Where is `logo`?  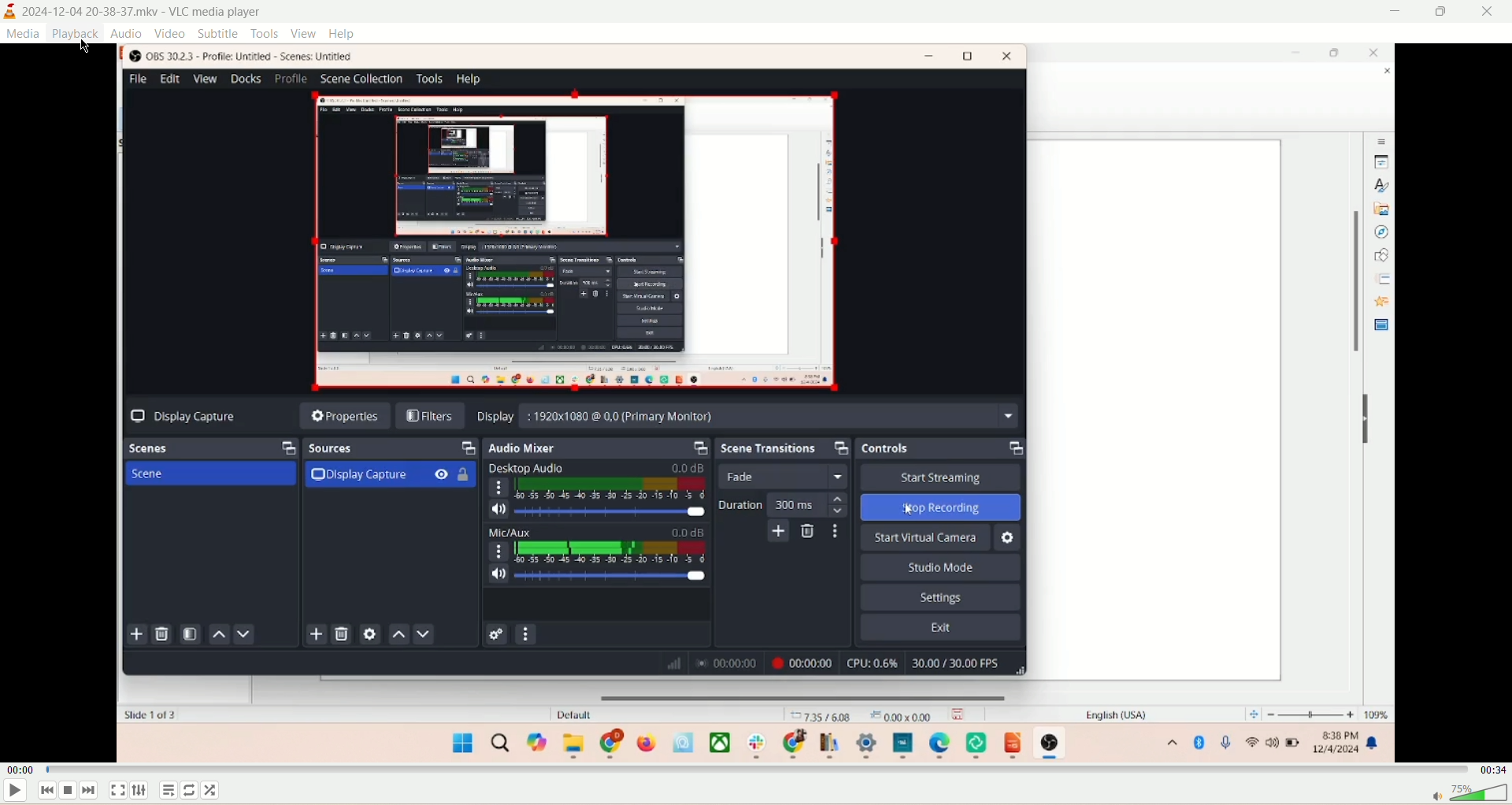
logo is located at coordinates (10, 13).